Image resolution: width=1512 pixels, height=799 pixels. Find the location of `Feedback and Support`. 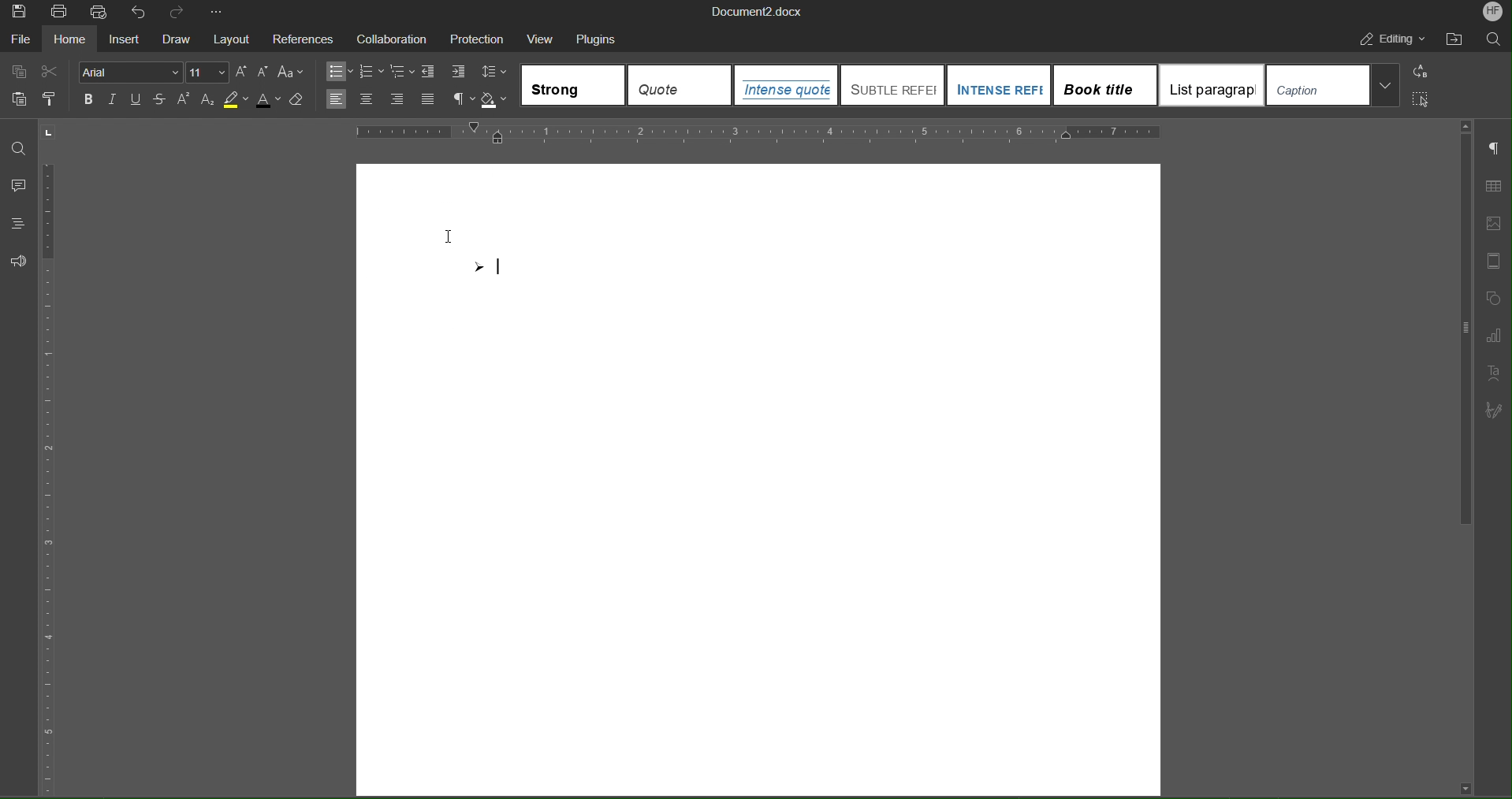

Feedback and Support is located at coordinates (23, 261).